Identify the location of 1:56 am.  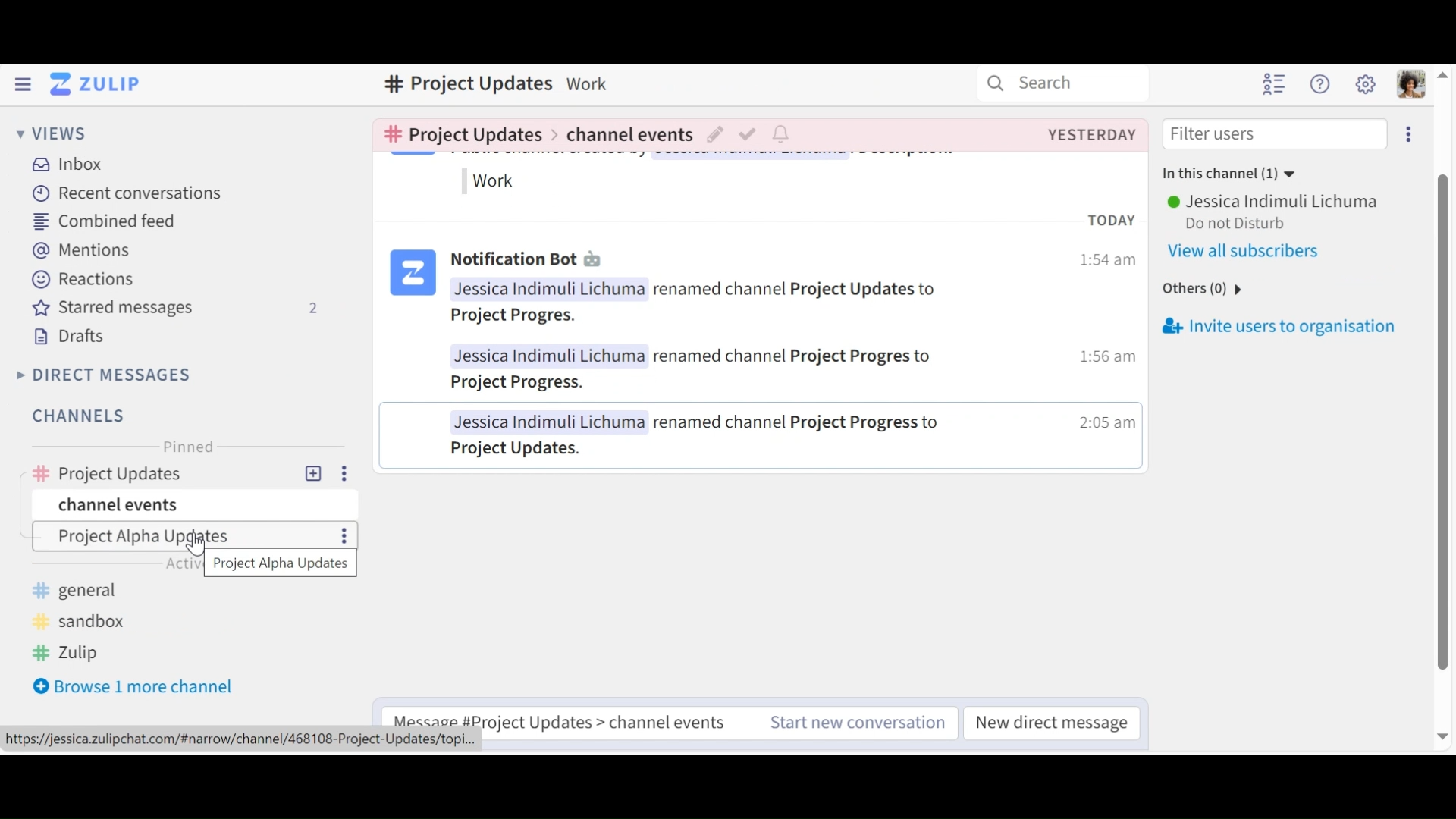
(1104, 359).